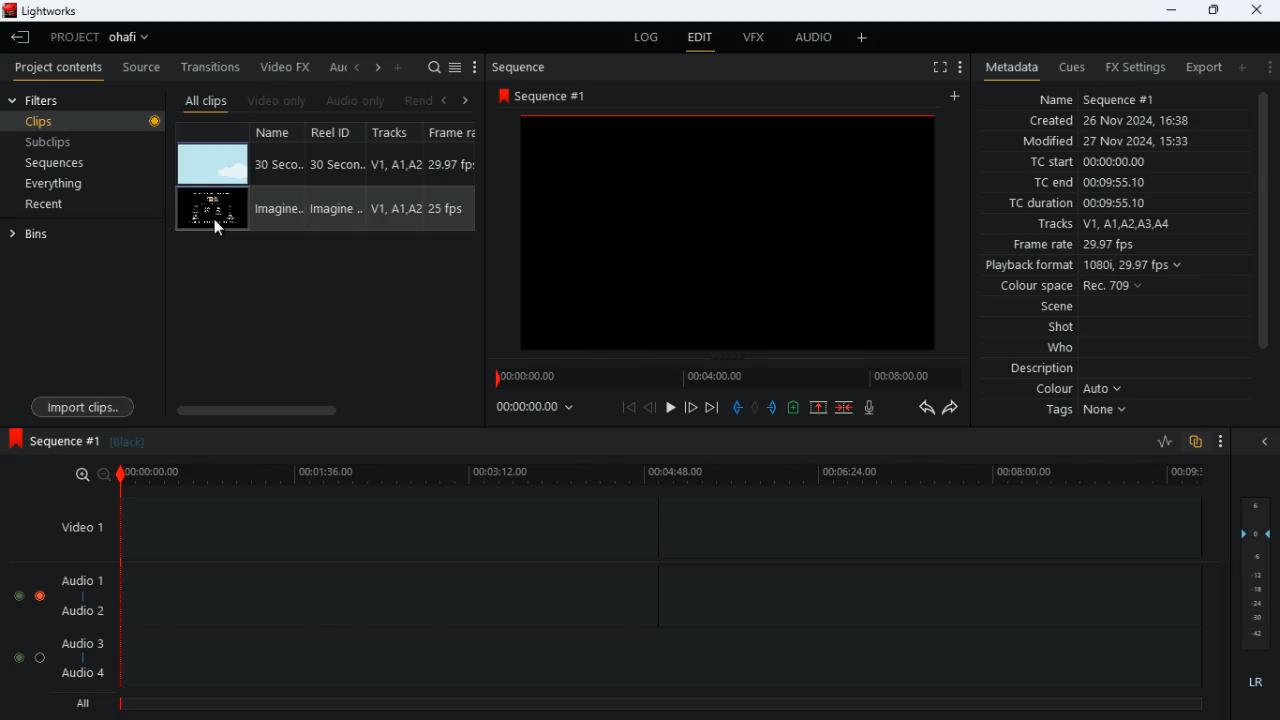  Describe the element at coordinates (548, 96) in the screenshot. I see `sequence` at that location.